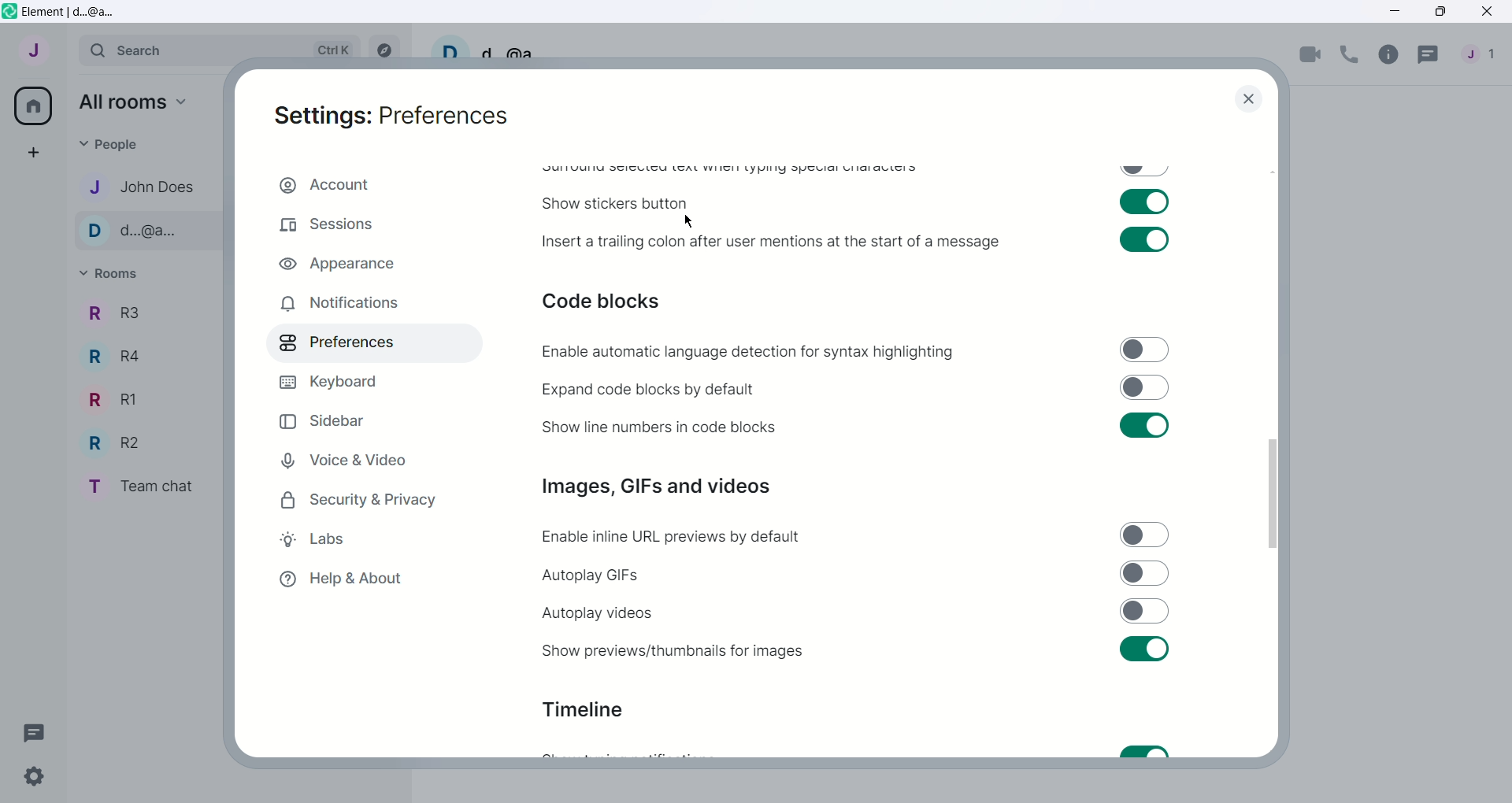  Describe the element at coordinates (614, 204) in the screenshot. I see `Show stickers button` at that location.